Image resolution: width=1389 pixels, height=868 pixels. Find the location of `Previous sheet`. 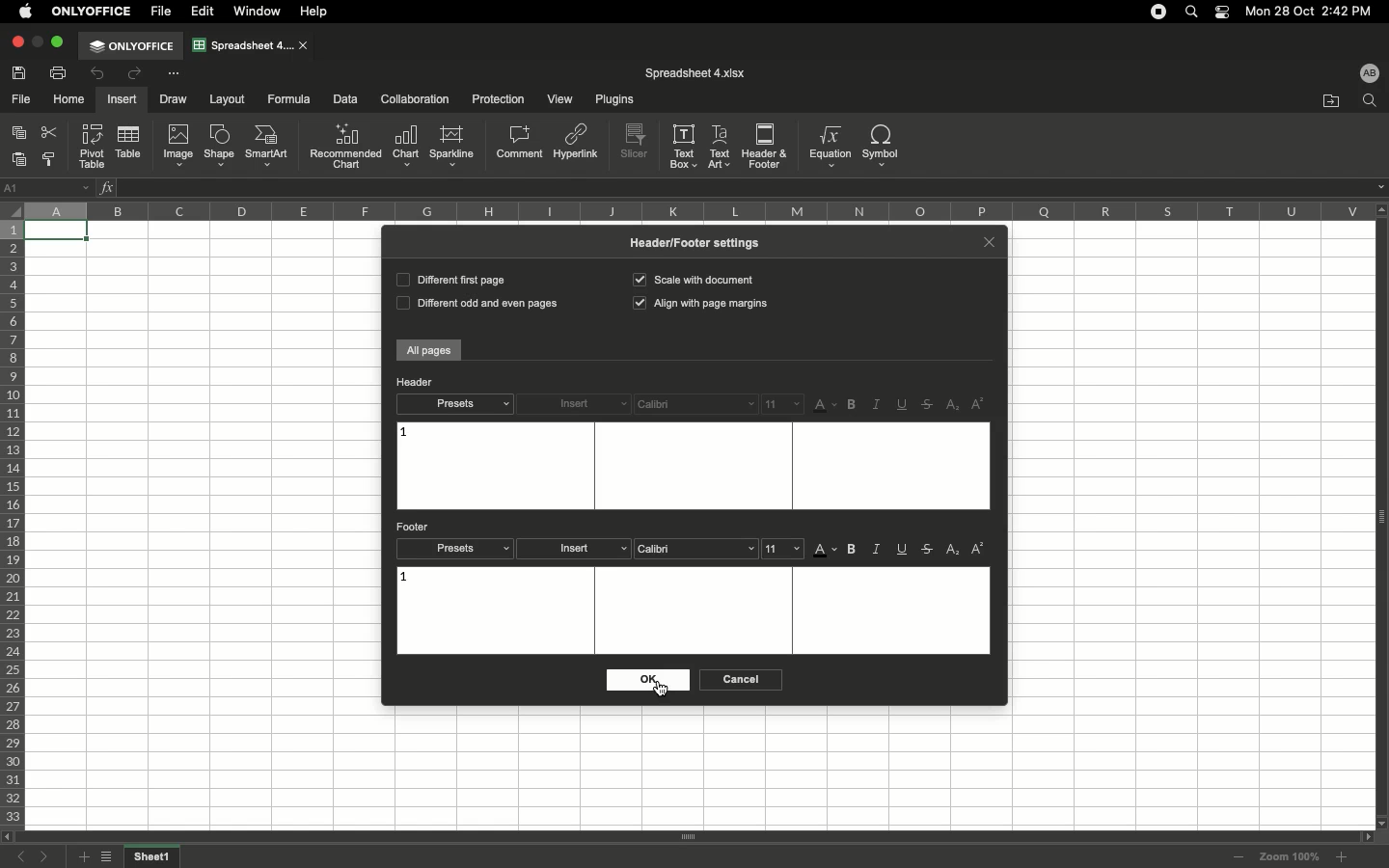

Previous sheet is located at coordinates (25, 858).